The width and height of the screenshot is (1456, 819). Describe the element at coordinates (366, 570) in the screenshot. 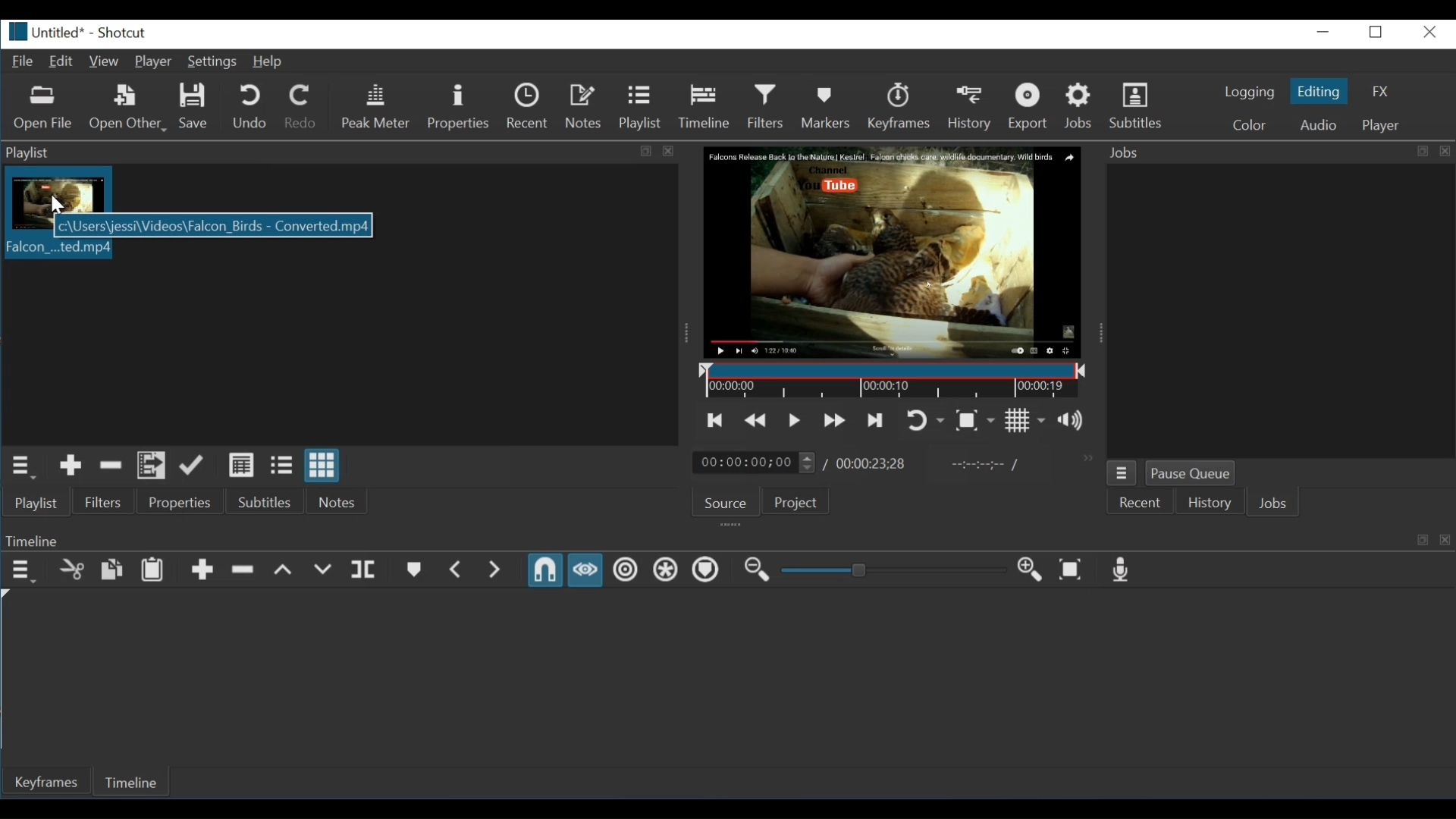

I see `Split at playhead` at that location.